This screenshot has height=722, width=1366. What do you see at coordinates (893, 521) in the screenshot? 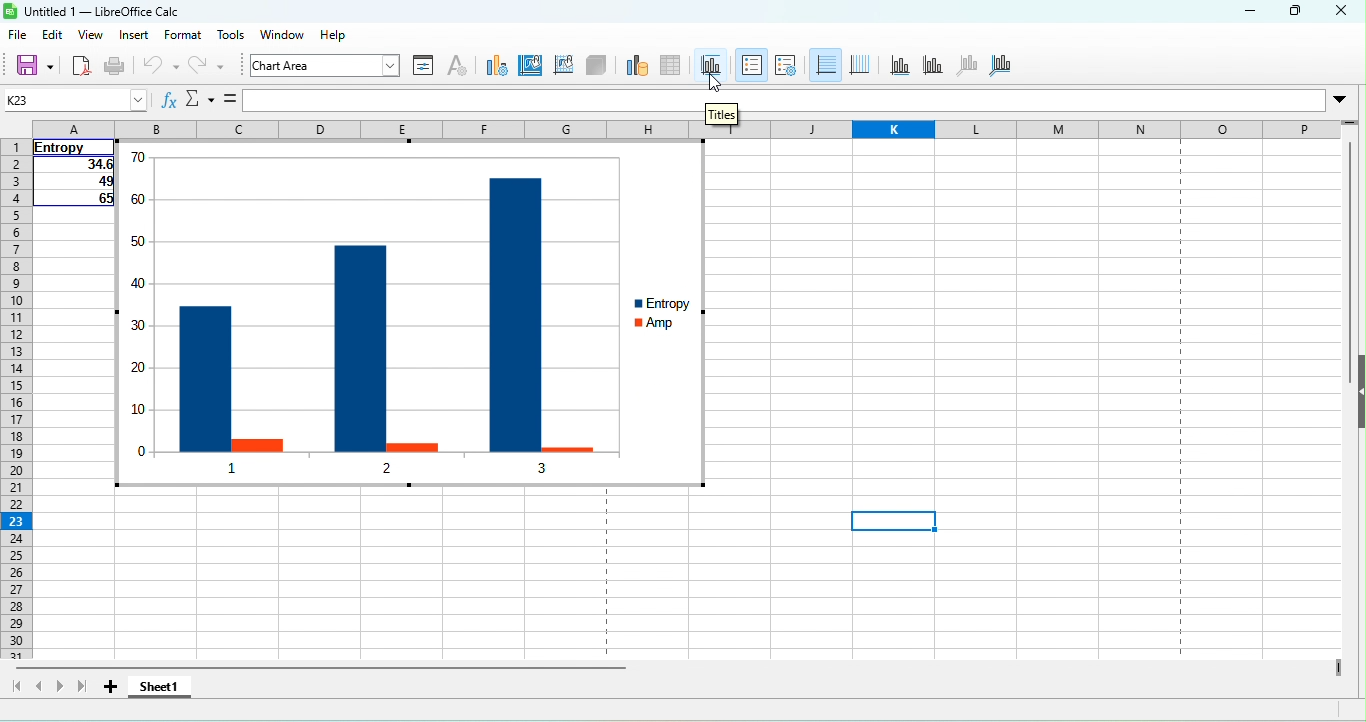
I see `selected cell` at bounding box center [893, 521].